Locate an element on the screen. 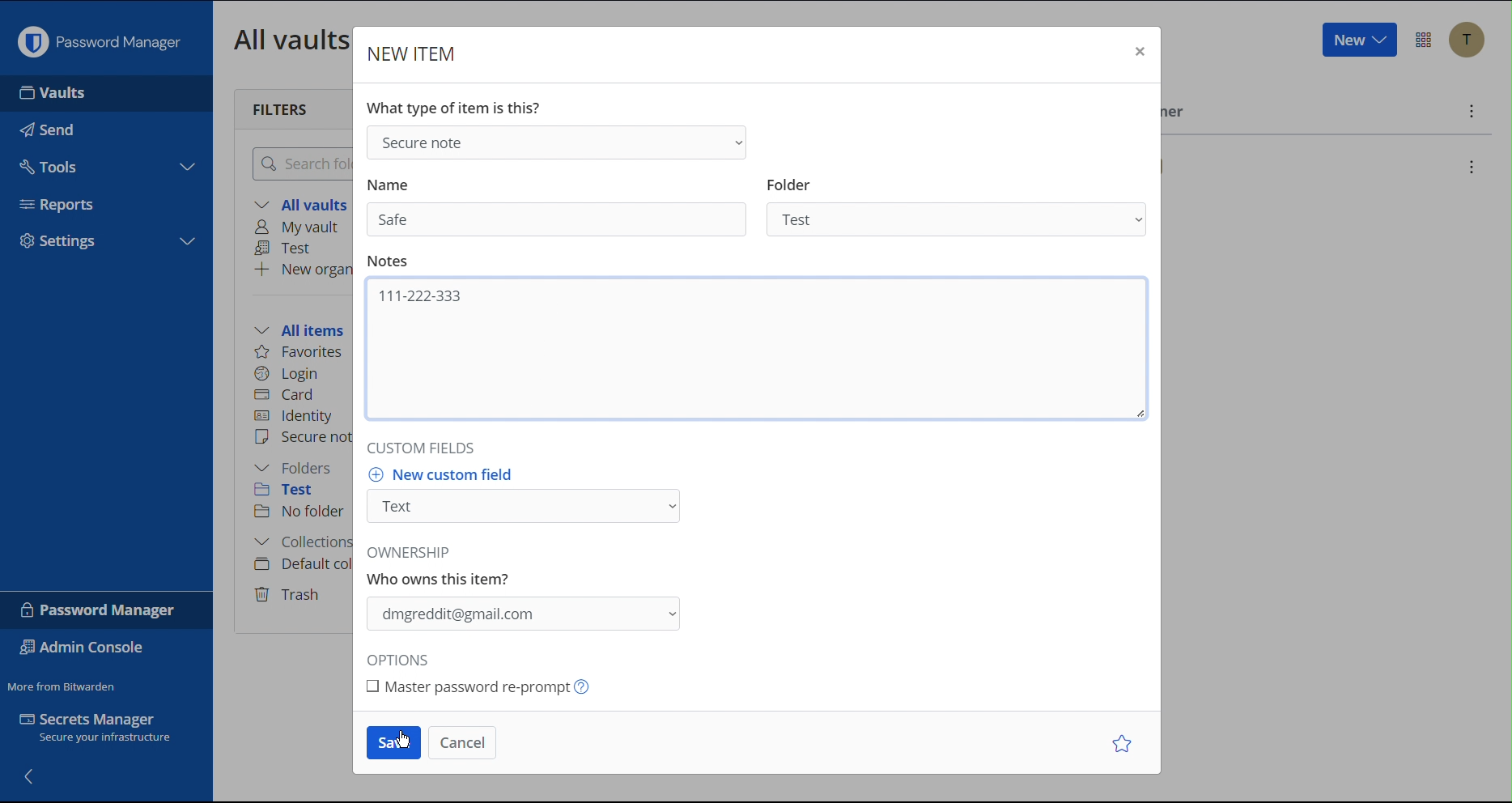  Safe is located at coordinates (400, 220).